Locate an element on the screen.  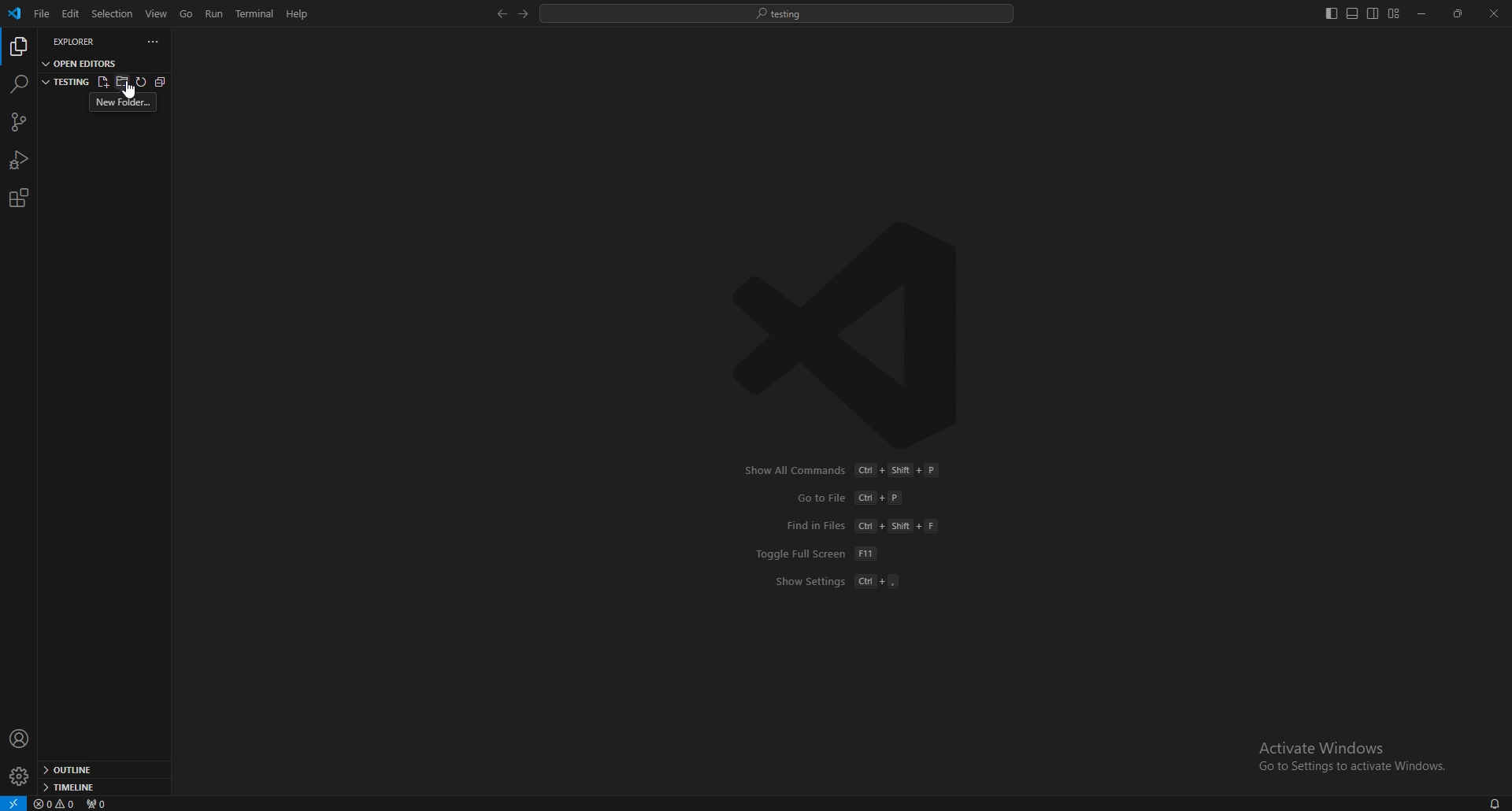
settings is located at coordinates (18, 777).